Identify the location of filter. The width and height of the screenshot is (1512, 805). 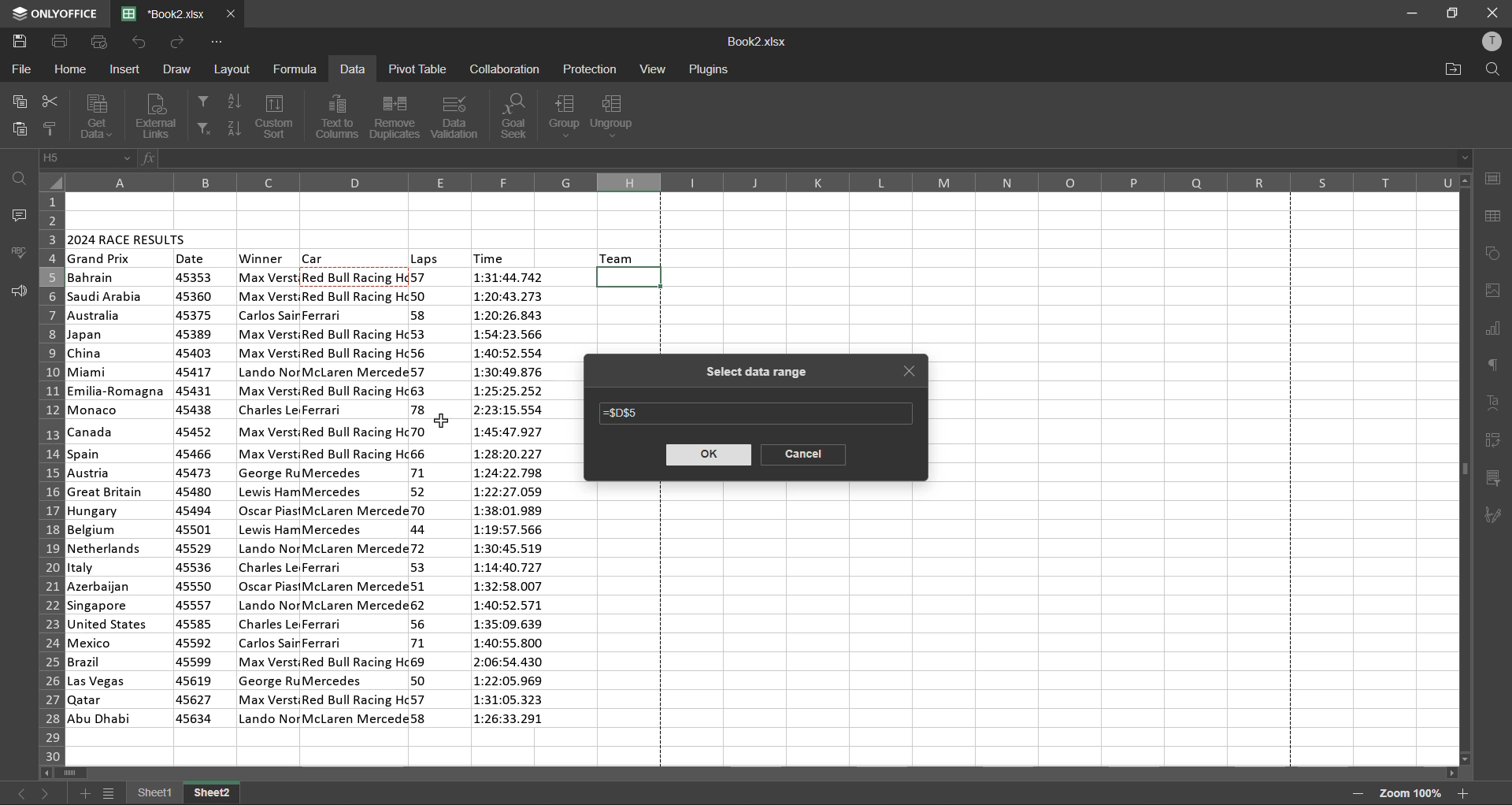
(202, 99).